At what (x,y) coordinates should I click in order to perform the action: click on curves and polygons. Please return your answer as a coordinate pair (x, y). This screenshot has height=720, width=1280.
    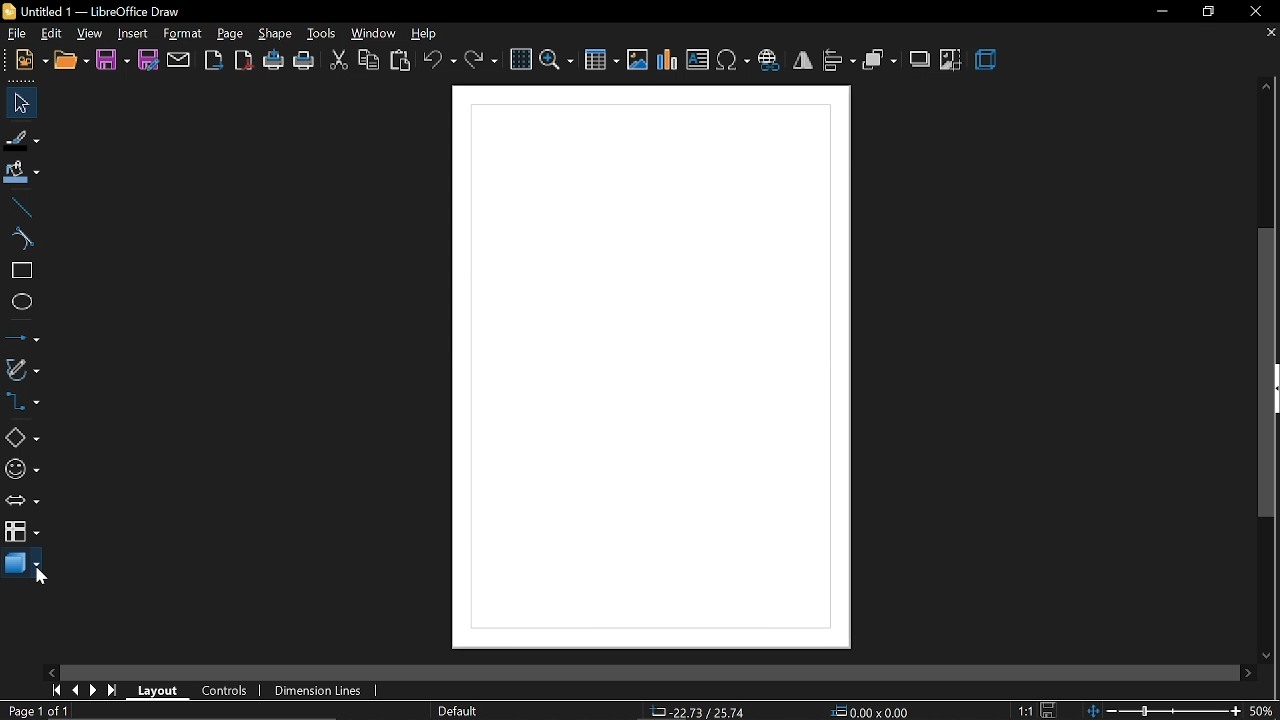
    Looking at the image, I should click on (22, 371).